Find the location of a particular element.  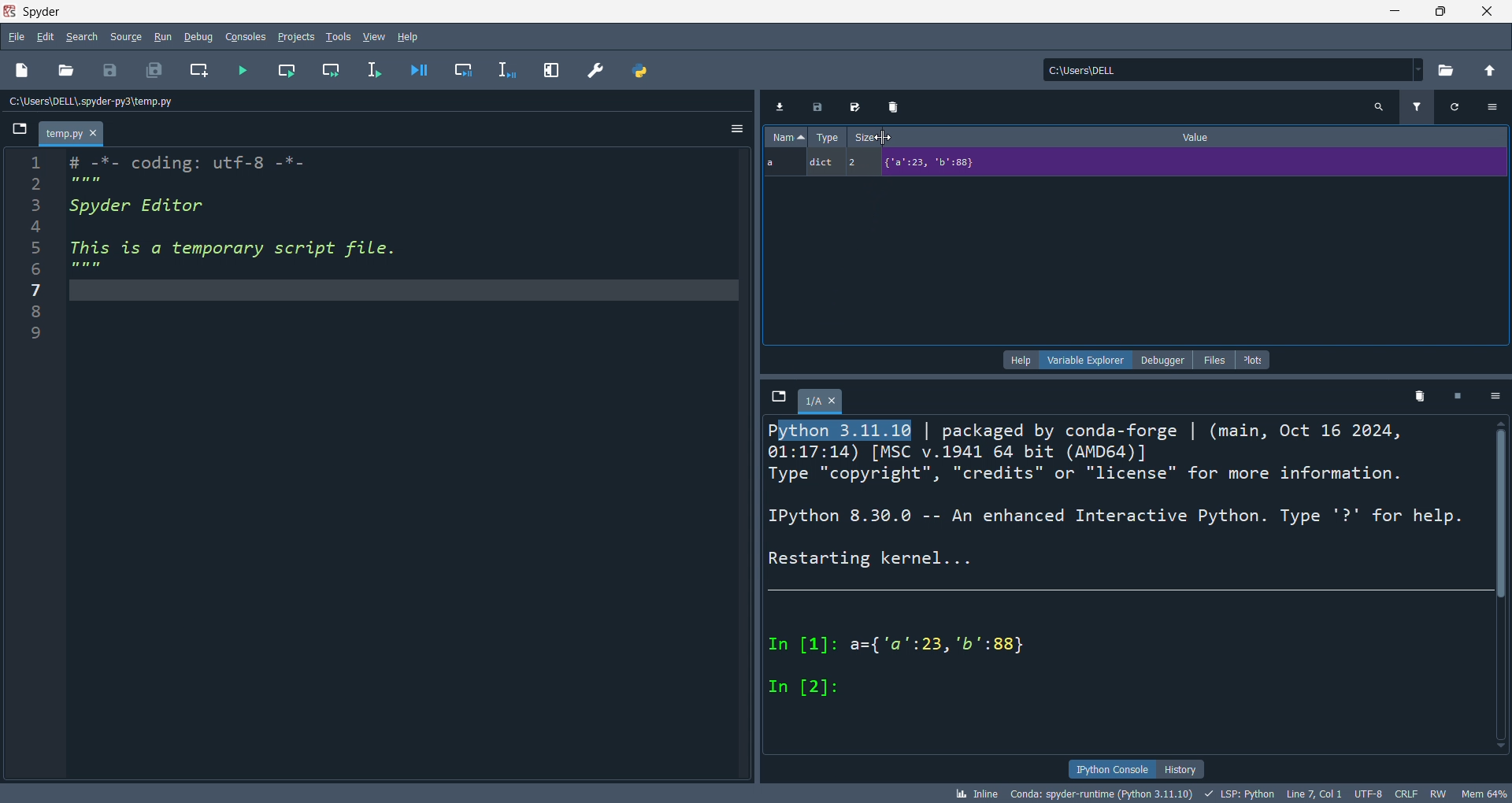

name  is located at coordinates (784, 139).